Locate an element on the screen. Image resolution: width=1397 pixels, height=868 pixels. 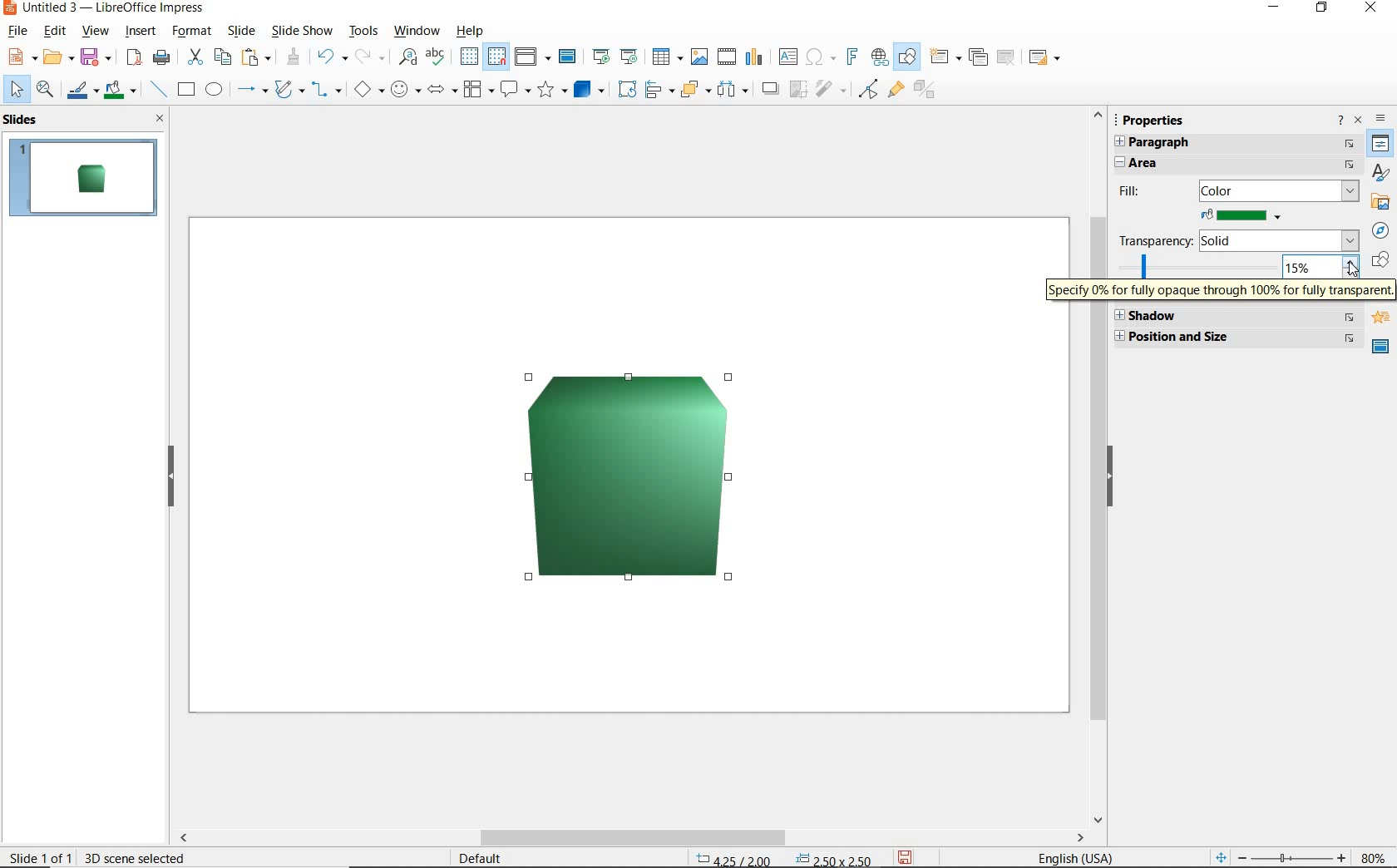
insert special characters is located at coordinates (822, 57).